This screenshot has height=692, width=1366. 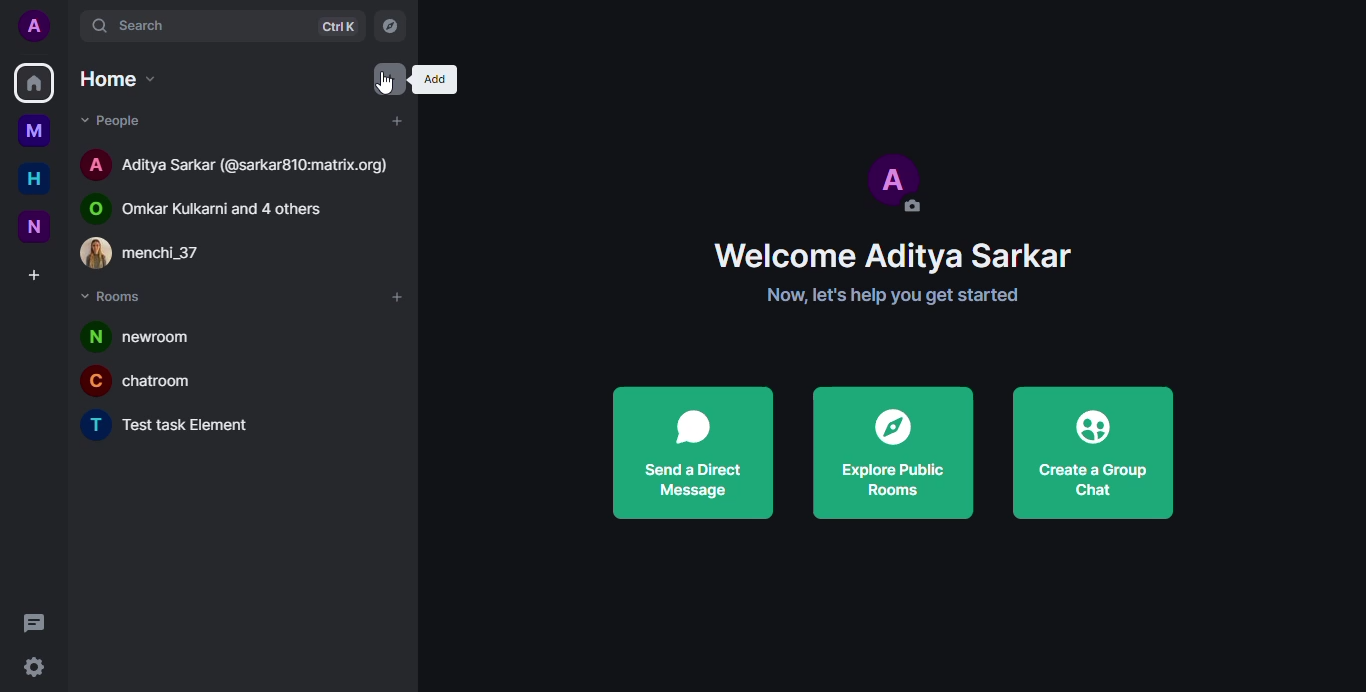 What do you see at coordinates (120, 79) in the screenshot?
I see `Home dropdown` at bounding box center [120, 79].